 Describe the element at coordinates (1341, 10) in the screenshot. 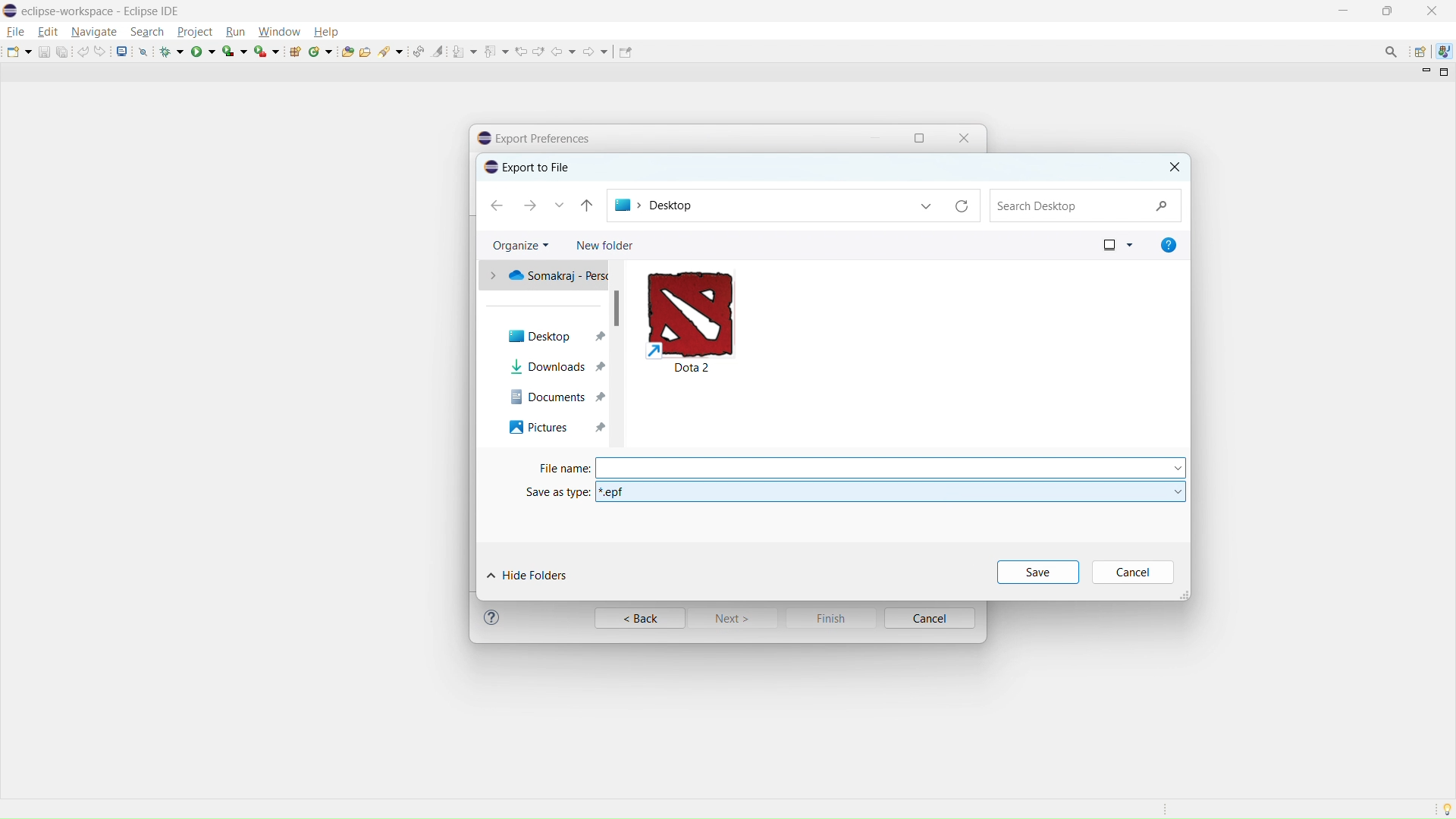

I see `minimize` at that location.